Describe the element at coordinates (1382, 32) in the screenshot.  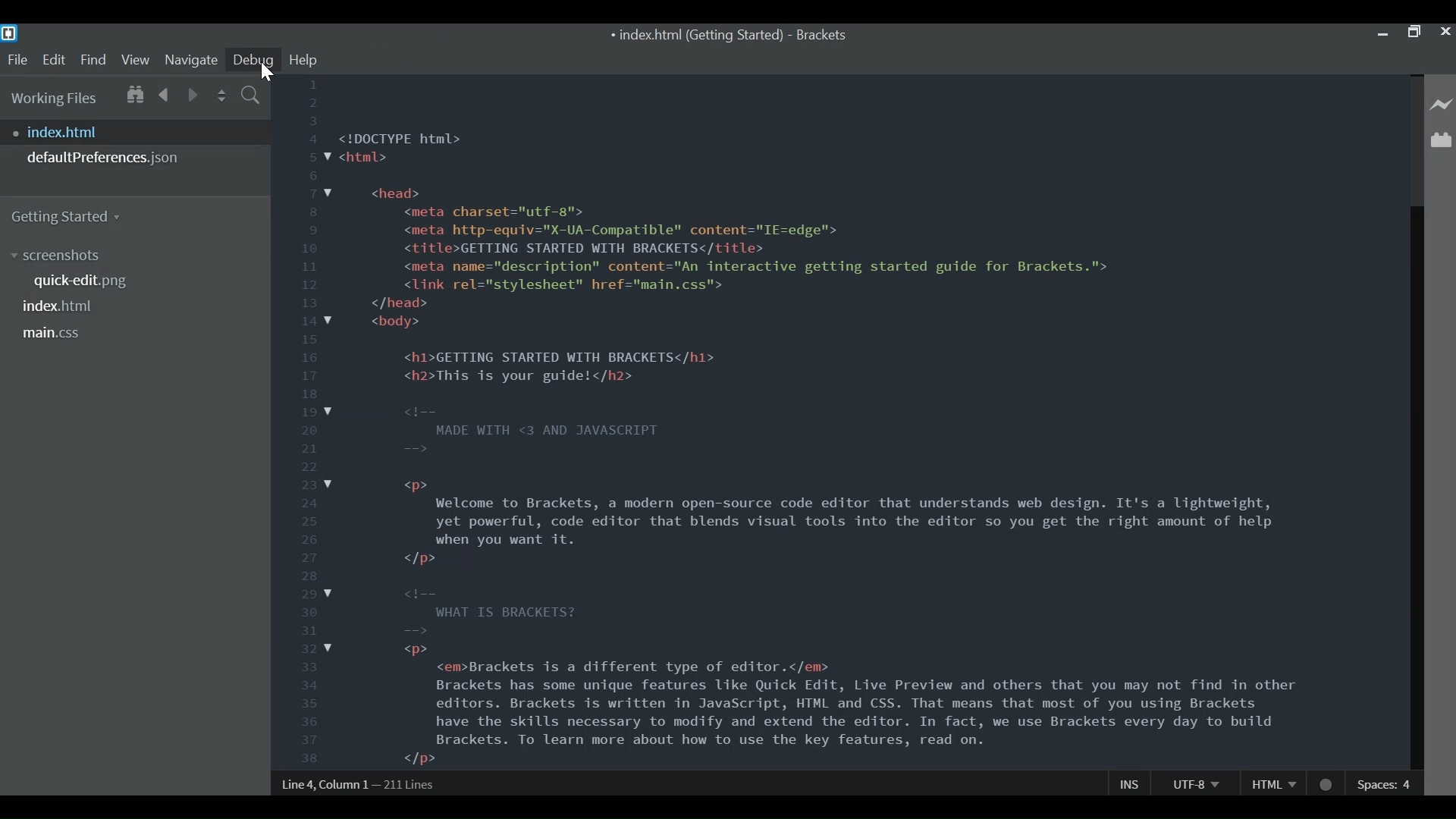
I see `minimize` at that location.